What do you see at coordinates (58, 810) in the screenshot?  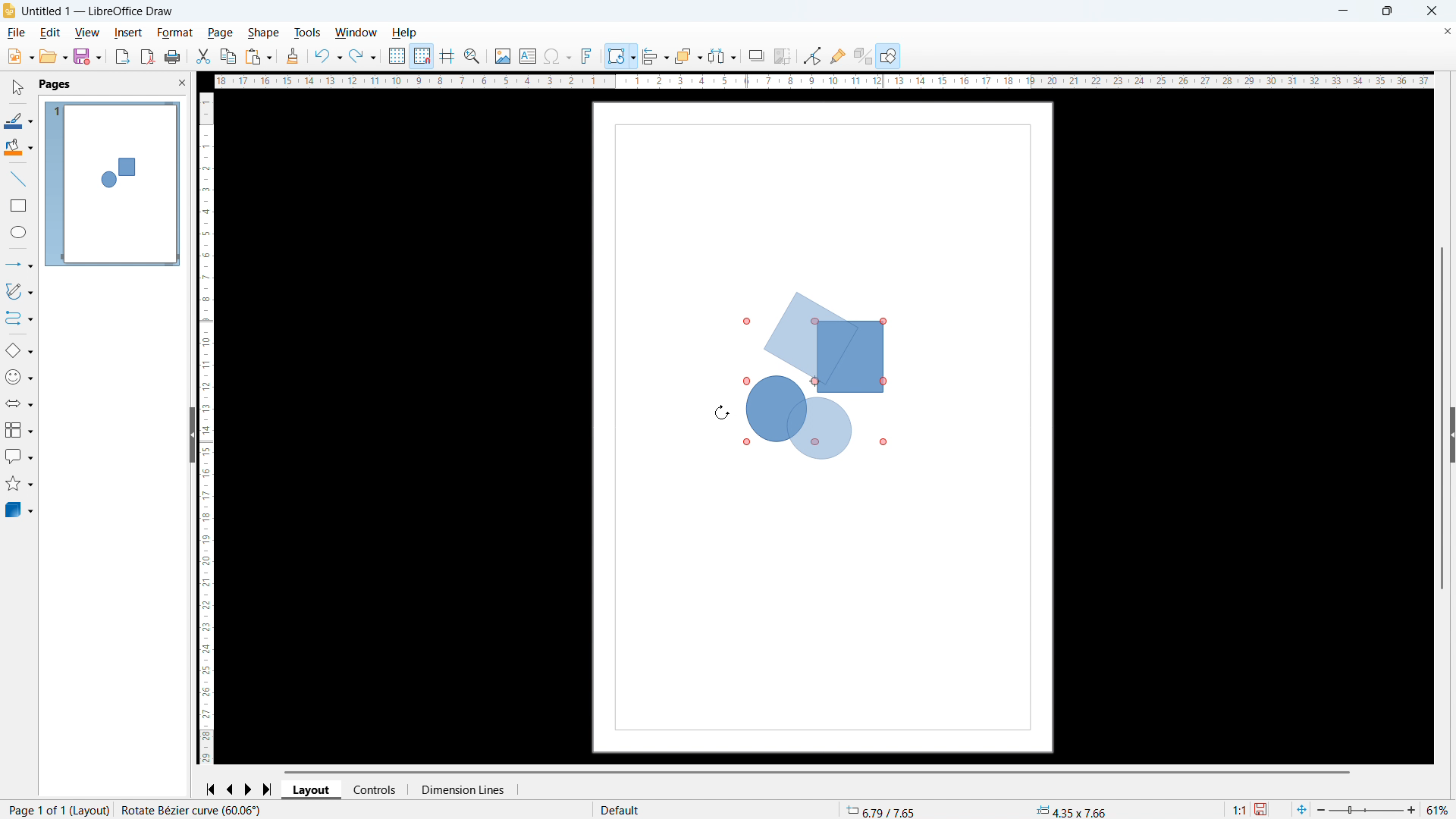 I see `Page number ` at bounding box center [58, 810].